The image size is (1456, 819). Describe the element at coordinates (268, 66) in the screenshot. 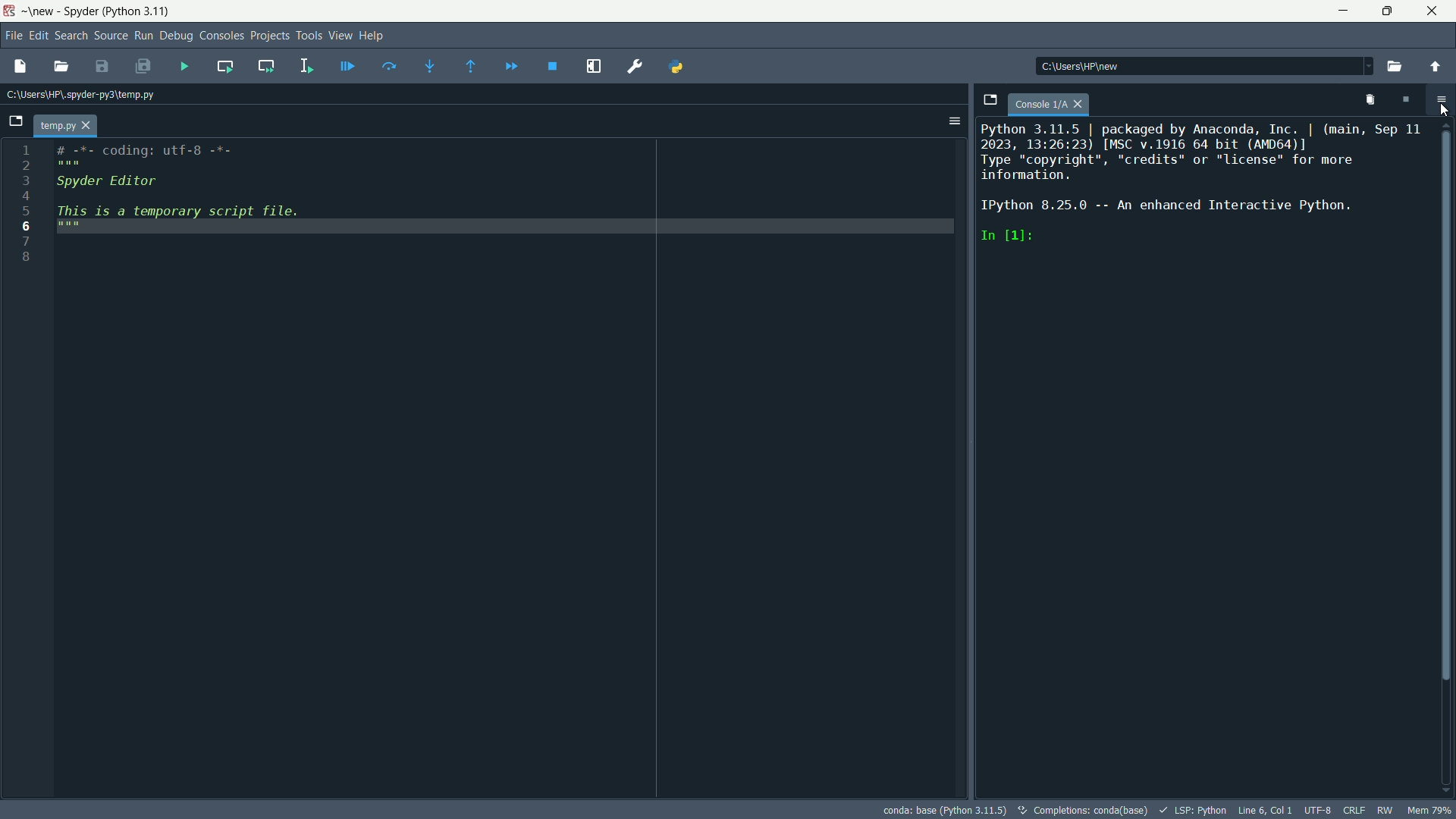

I see `run current cell and go to the next one` at that location.